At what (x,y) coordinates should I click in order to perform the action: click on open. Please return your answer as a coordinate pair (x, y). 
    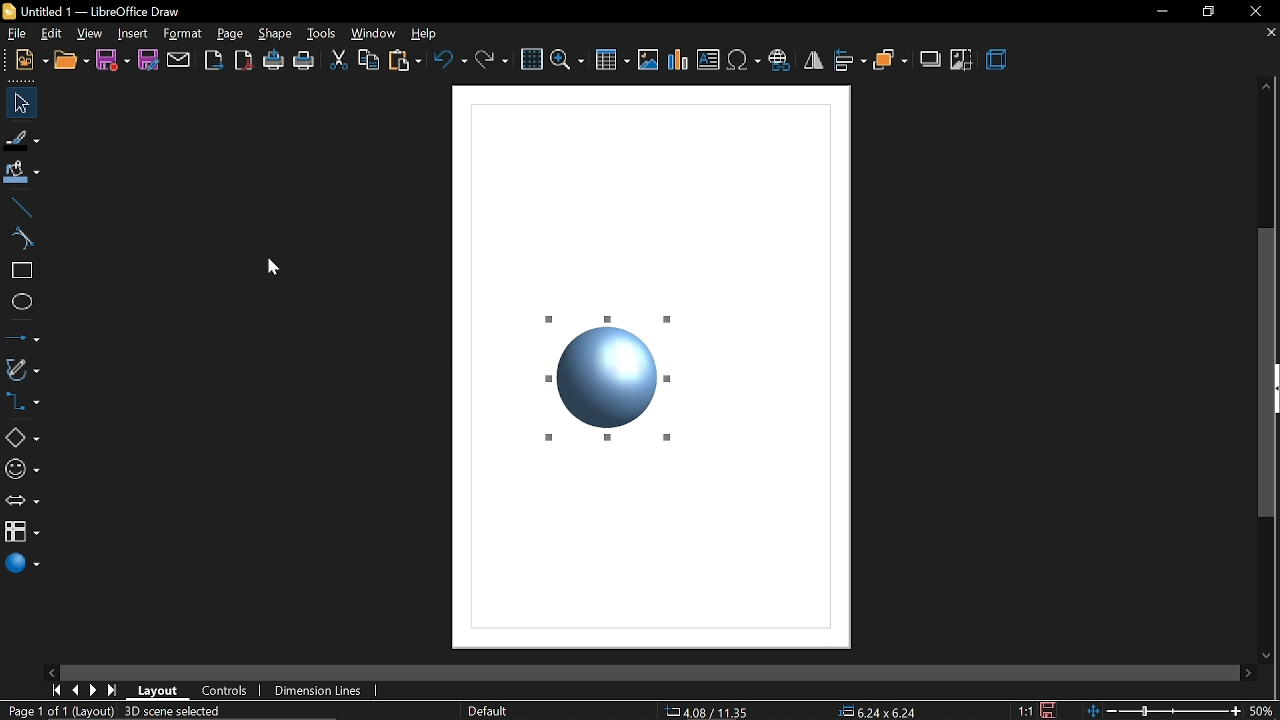
    Looking at the image, I should click on (70, 60).